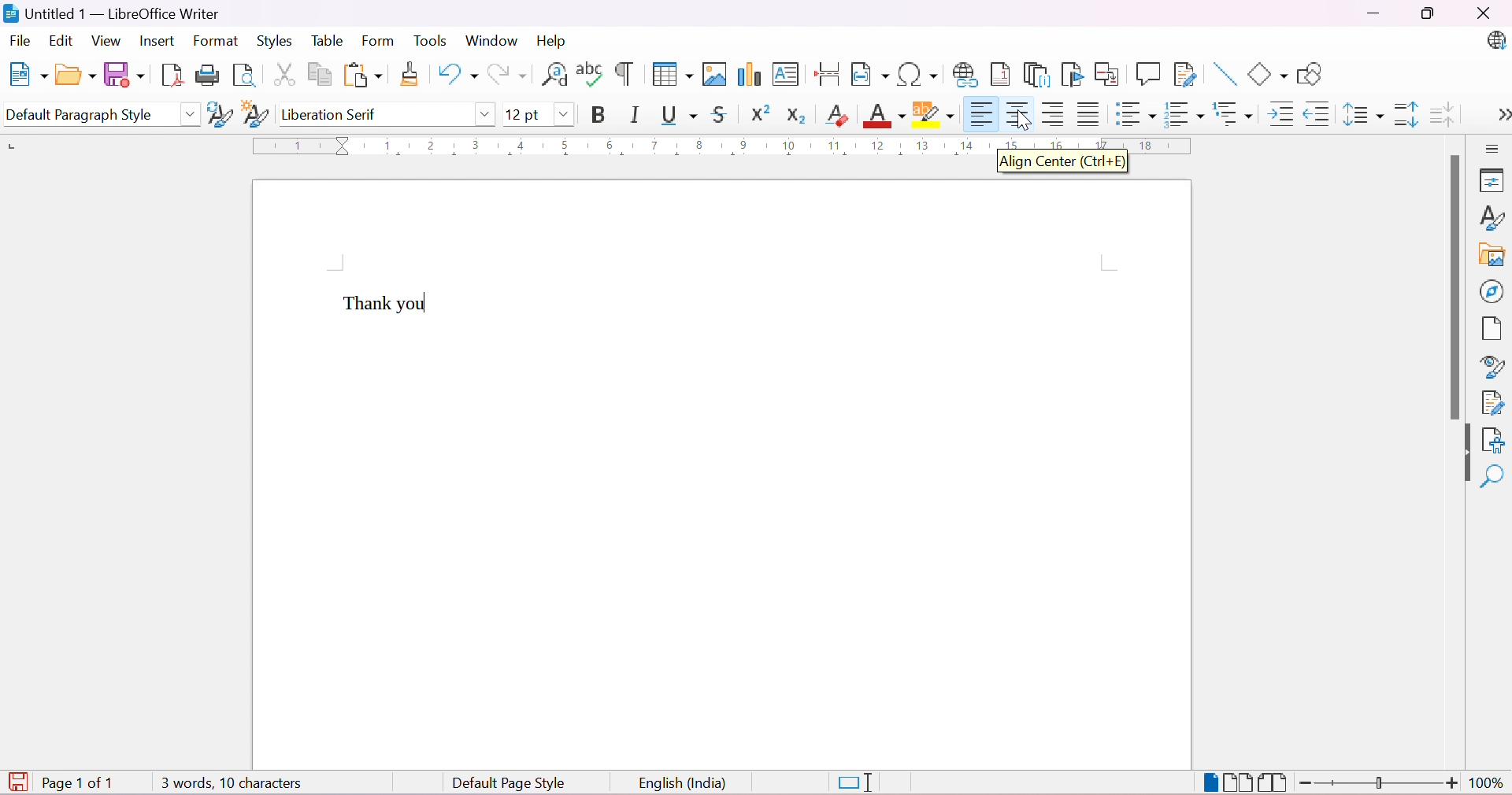 This screenshot has height=795, width=1512. I want to click on Superscript, so click(757, 113).